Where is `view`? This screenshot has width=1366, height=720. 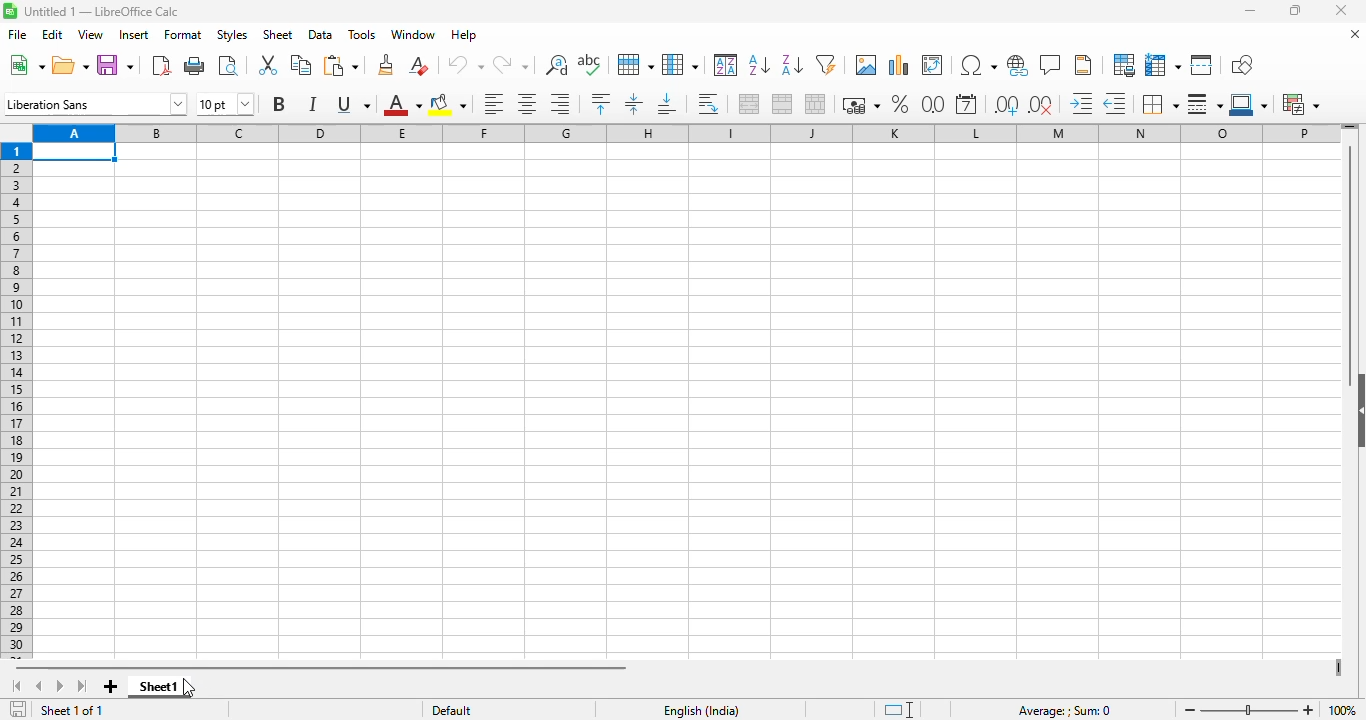 view is located at coordinates (90, 34).